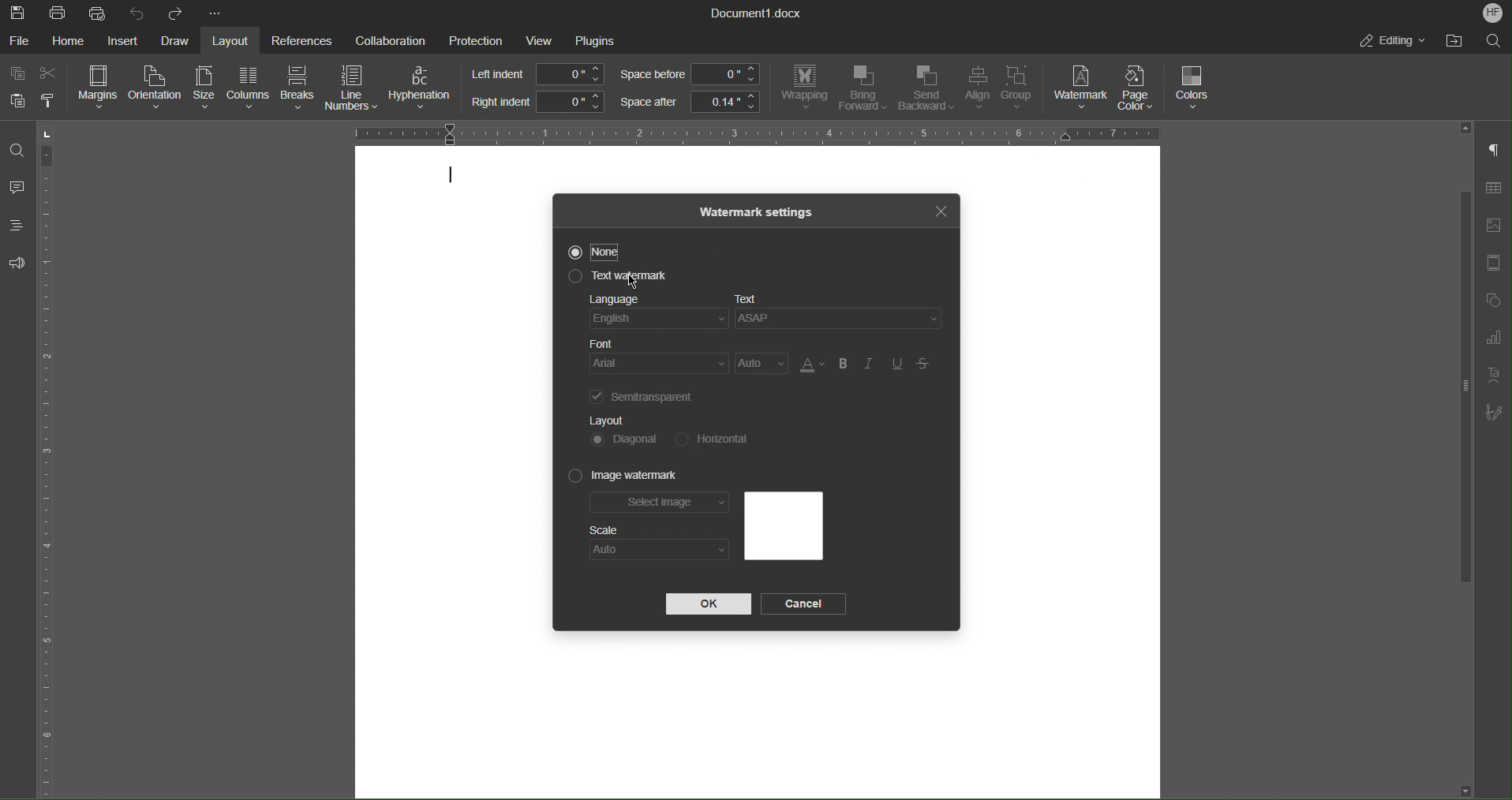 The height and width of the screenshot is (800, 1512). I want to click on Watermark, so click(1081, 88).